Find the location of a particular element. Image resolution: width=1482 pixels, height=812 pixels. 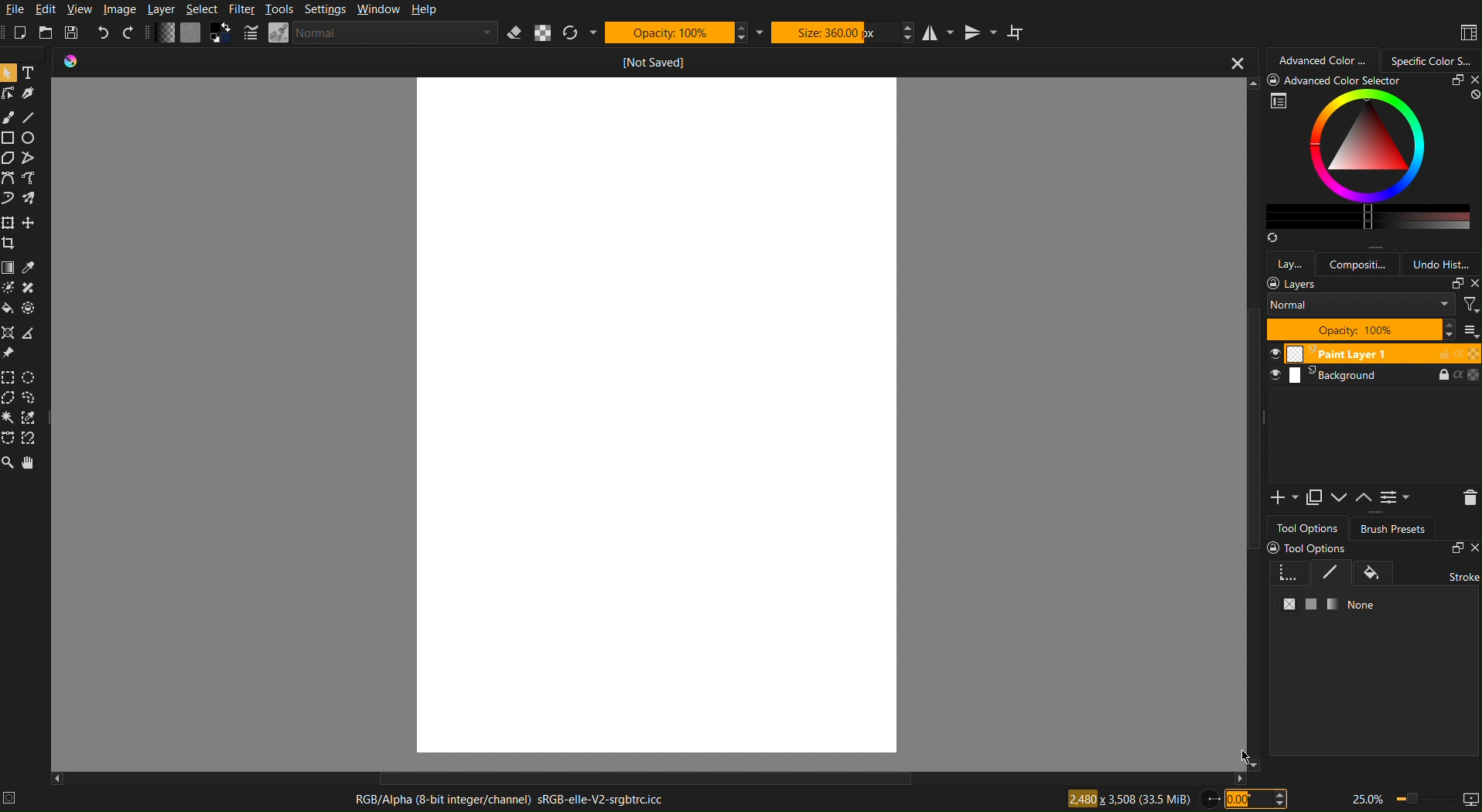

Pen is located at coordinates (28, 92).